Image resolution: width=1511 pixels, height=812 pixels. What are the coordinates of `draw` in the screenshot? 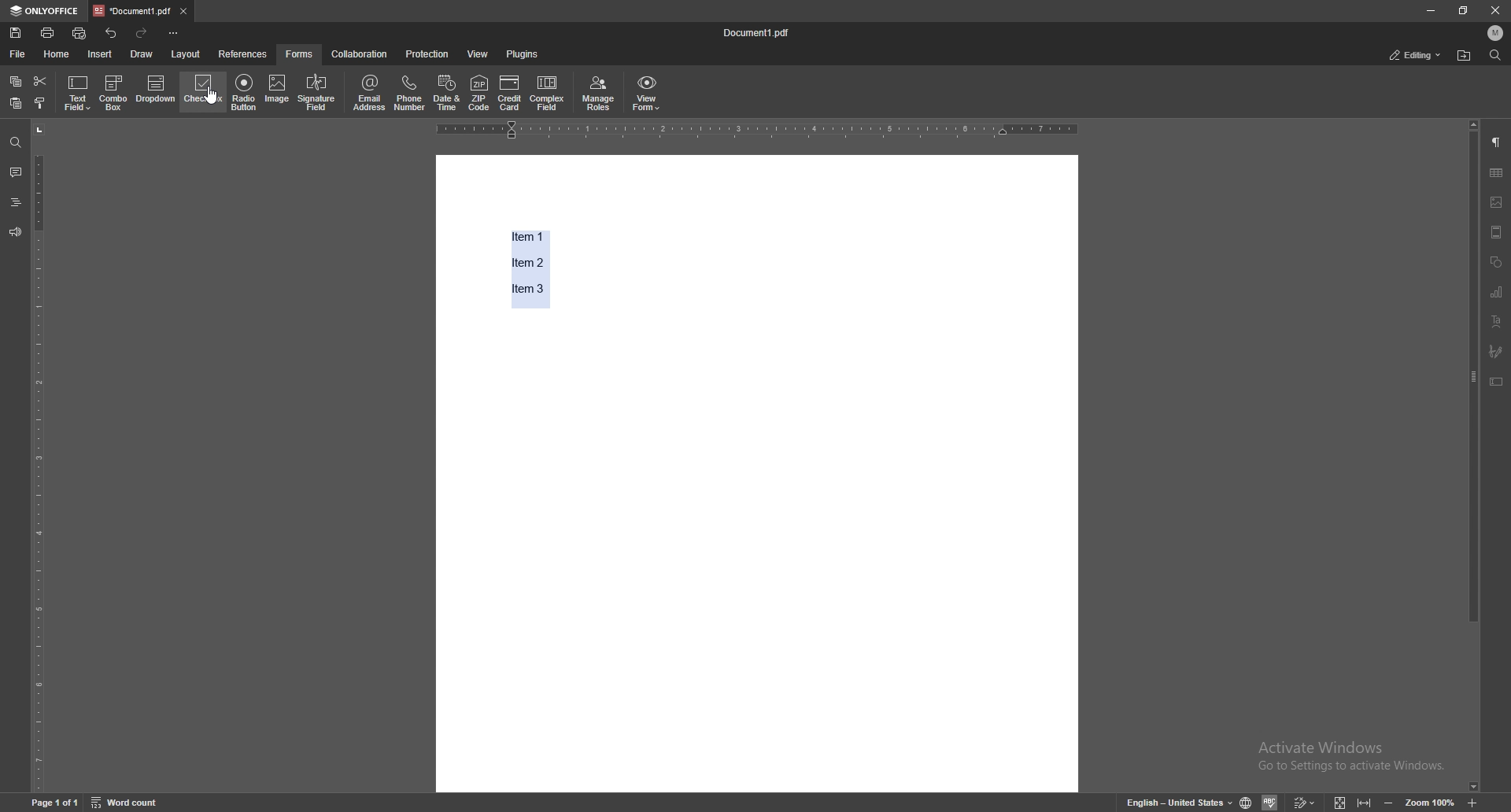 It's located at (143, 54).